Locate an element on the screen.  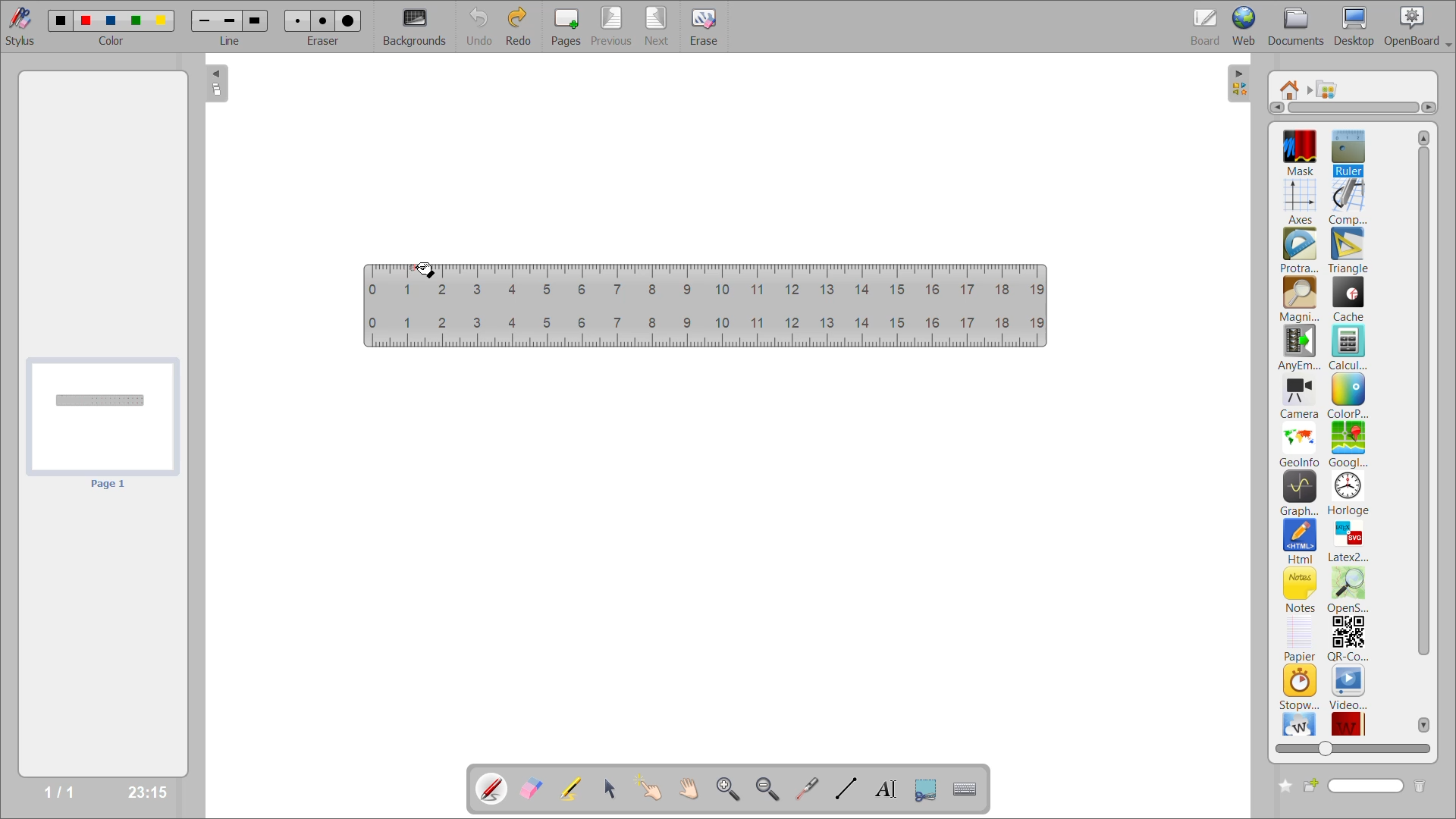
axes is located at coordinates (1303, 199).